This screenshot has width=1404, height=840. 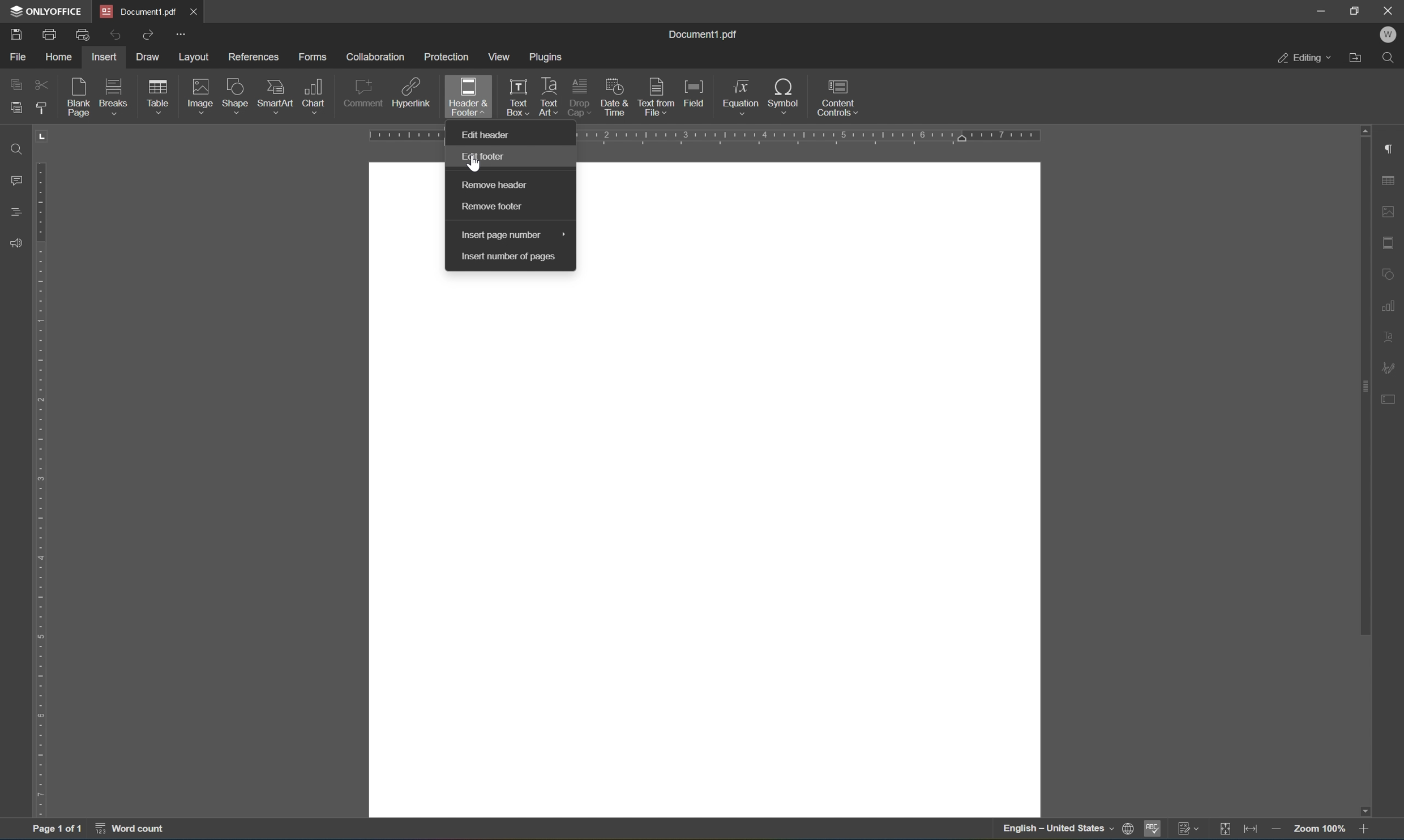 What do you see at coordinates (275, 95) in the screenshot?
I see `smart art` at bounding box center [275, 95].